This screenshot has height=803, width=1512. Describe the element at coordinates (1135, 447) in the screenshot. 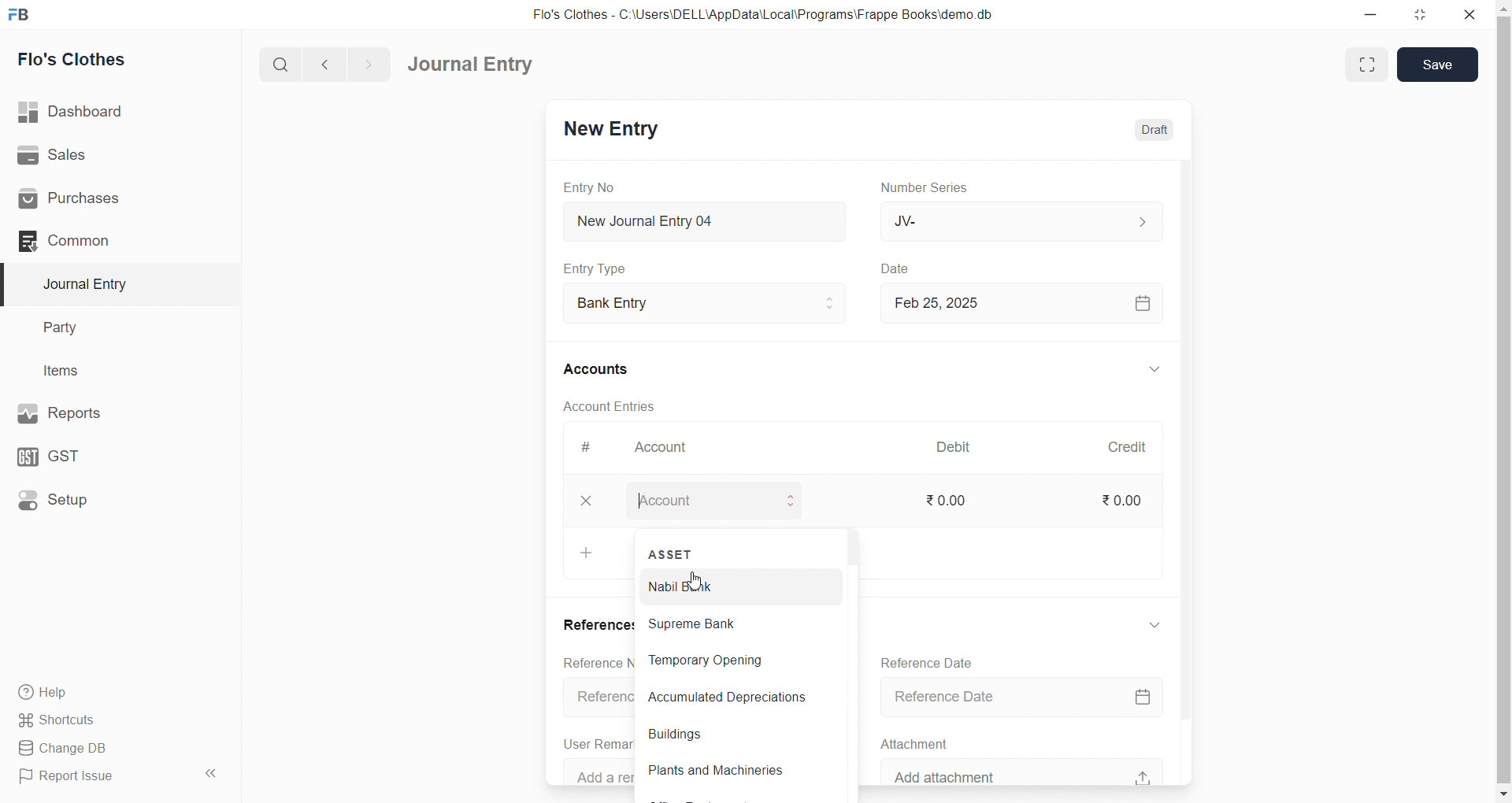

I see `Credit` at that location.